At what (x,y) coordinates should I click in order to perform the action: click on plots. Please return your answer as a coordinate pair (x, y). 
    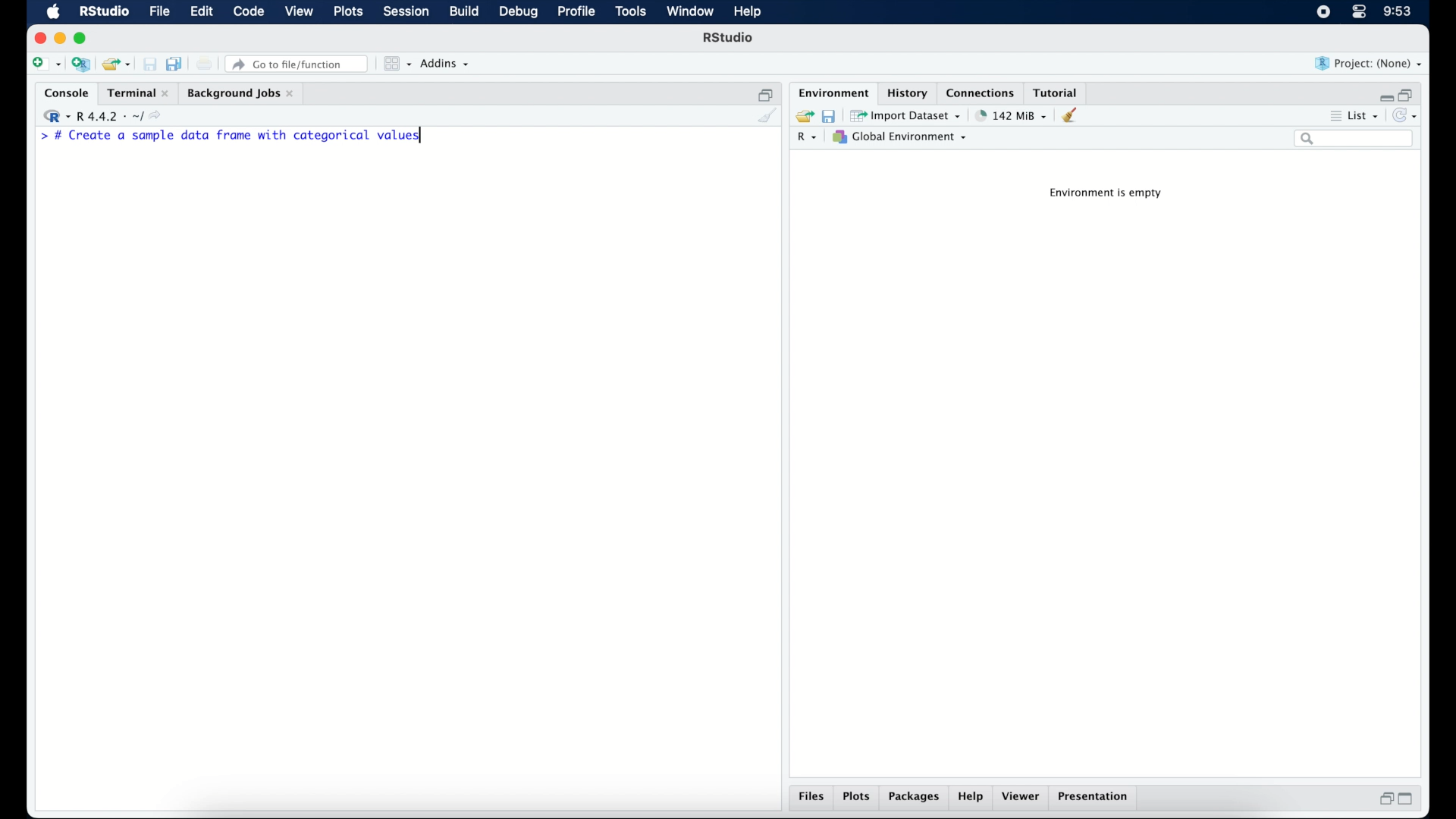
    Looking at the image, I should click on (857, 798).